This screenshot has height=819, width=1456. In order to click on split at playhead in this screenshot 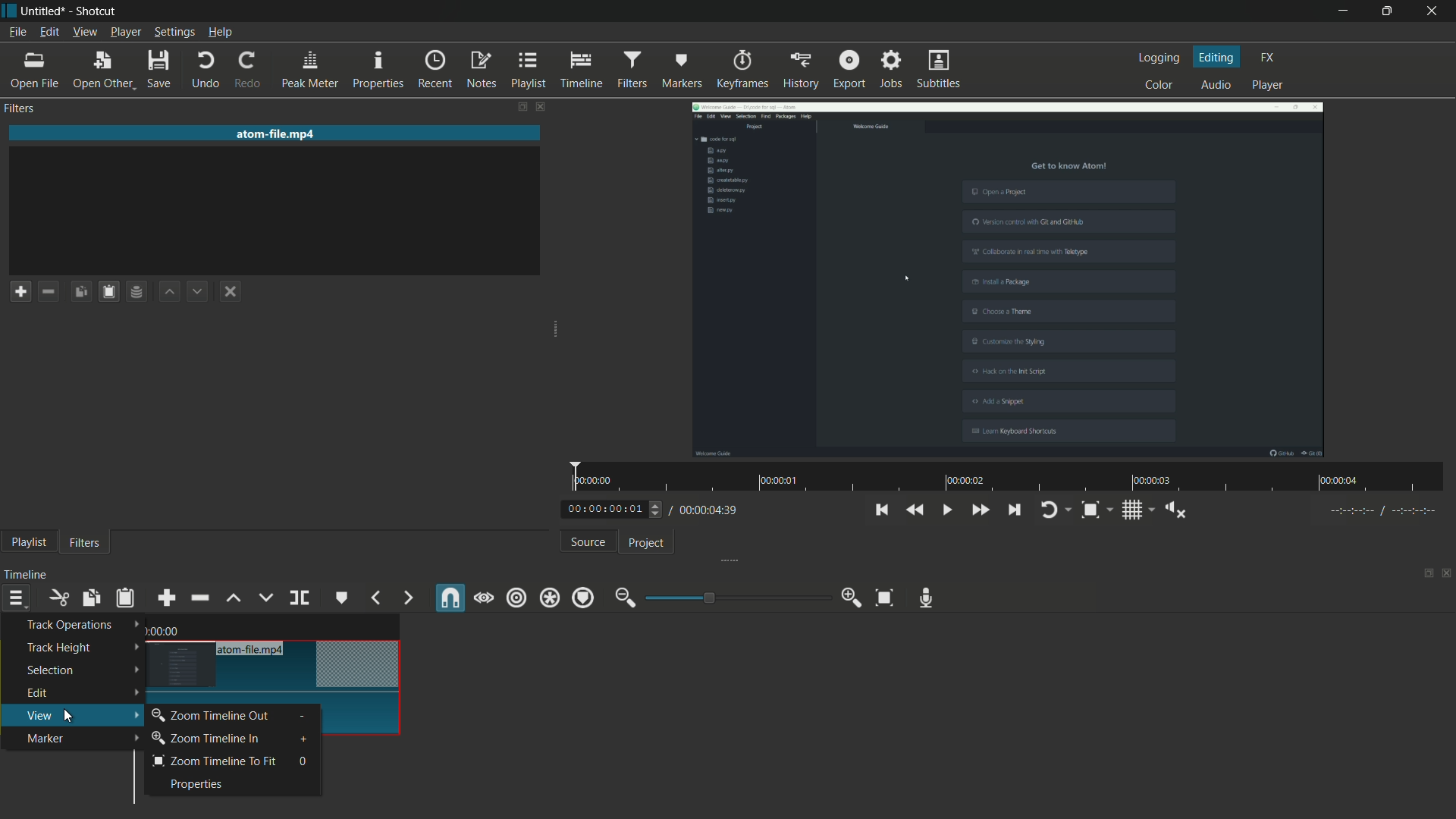, I will do `click(301, 598)`.